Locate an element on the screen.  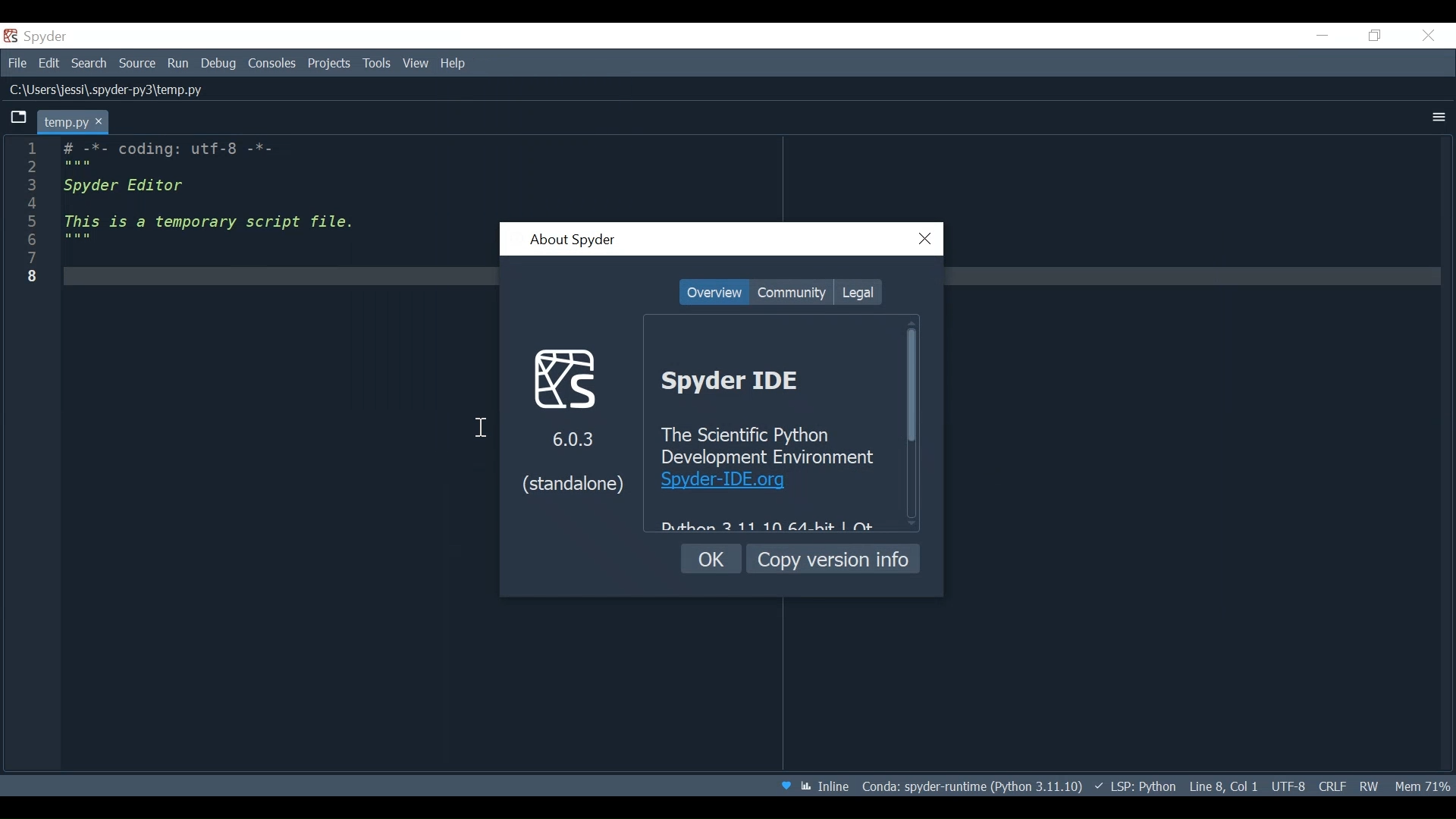
code is located at coordinates (240, 209).